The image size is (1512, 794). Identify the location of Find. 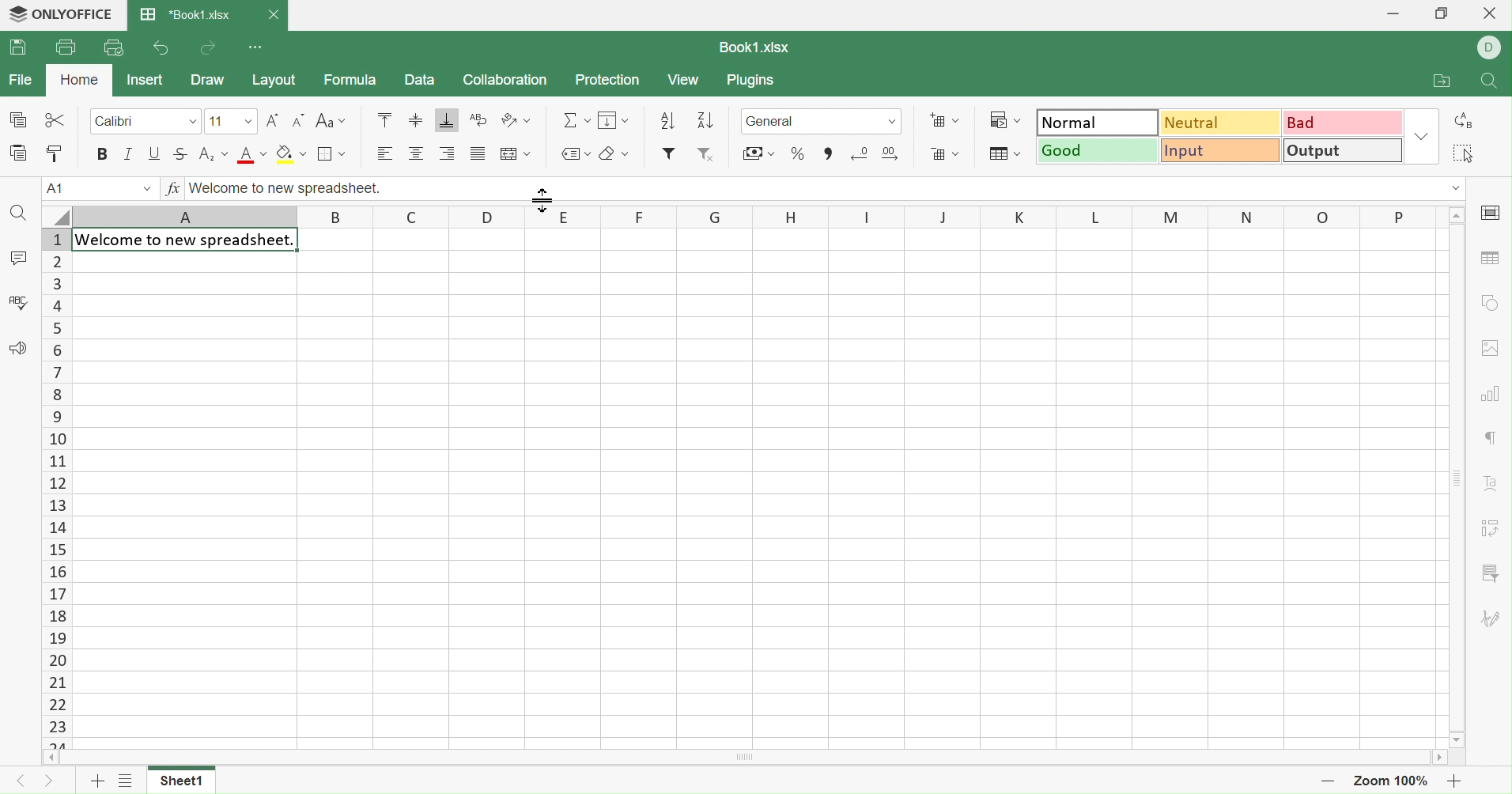
(1491, 83).